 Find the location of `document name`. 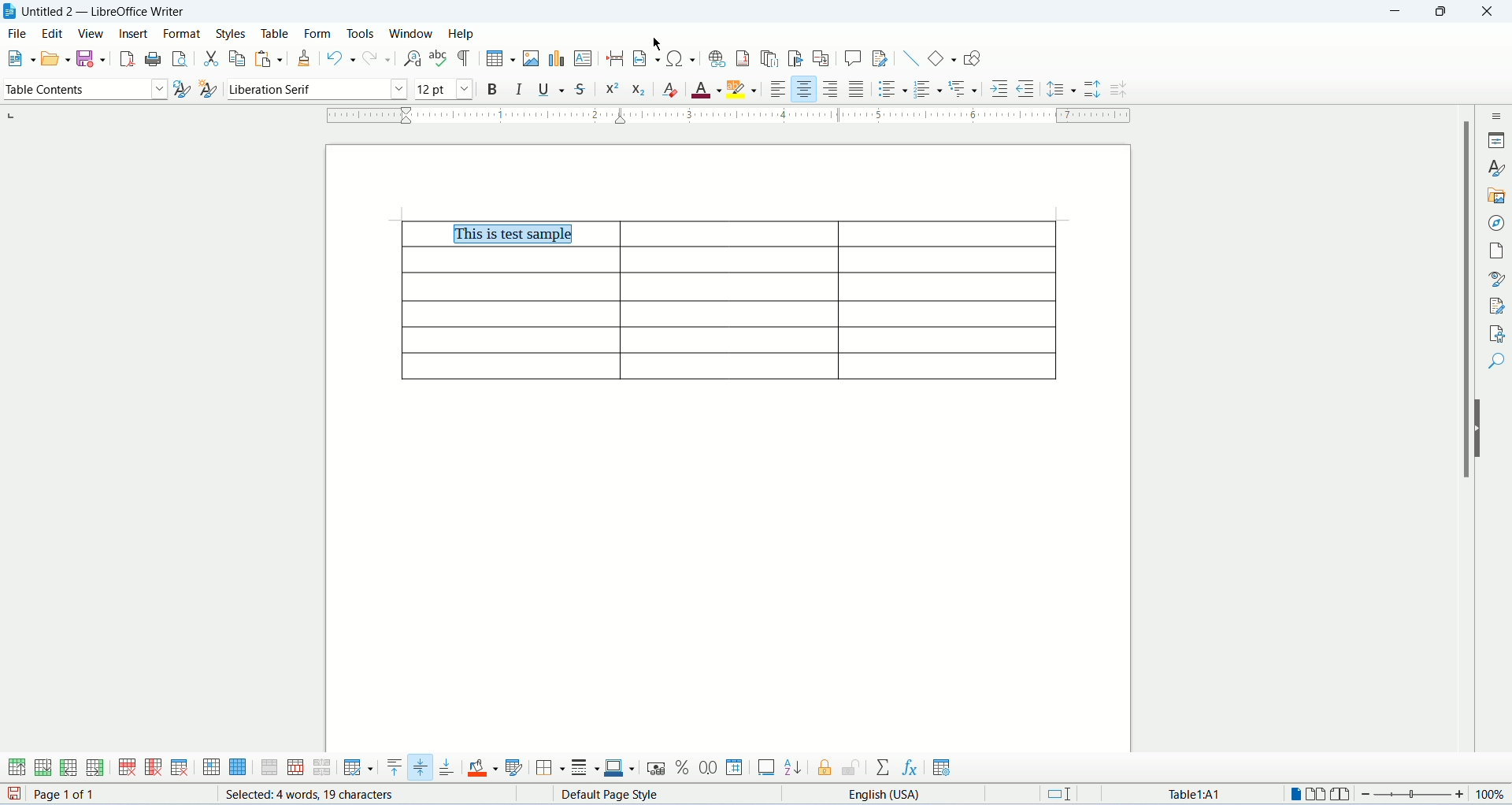

document name is located at coordinates (111, 10).